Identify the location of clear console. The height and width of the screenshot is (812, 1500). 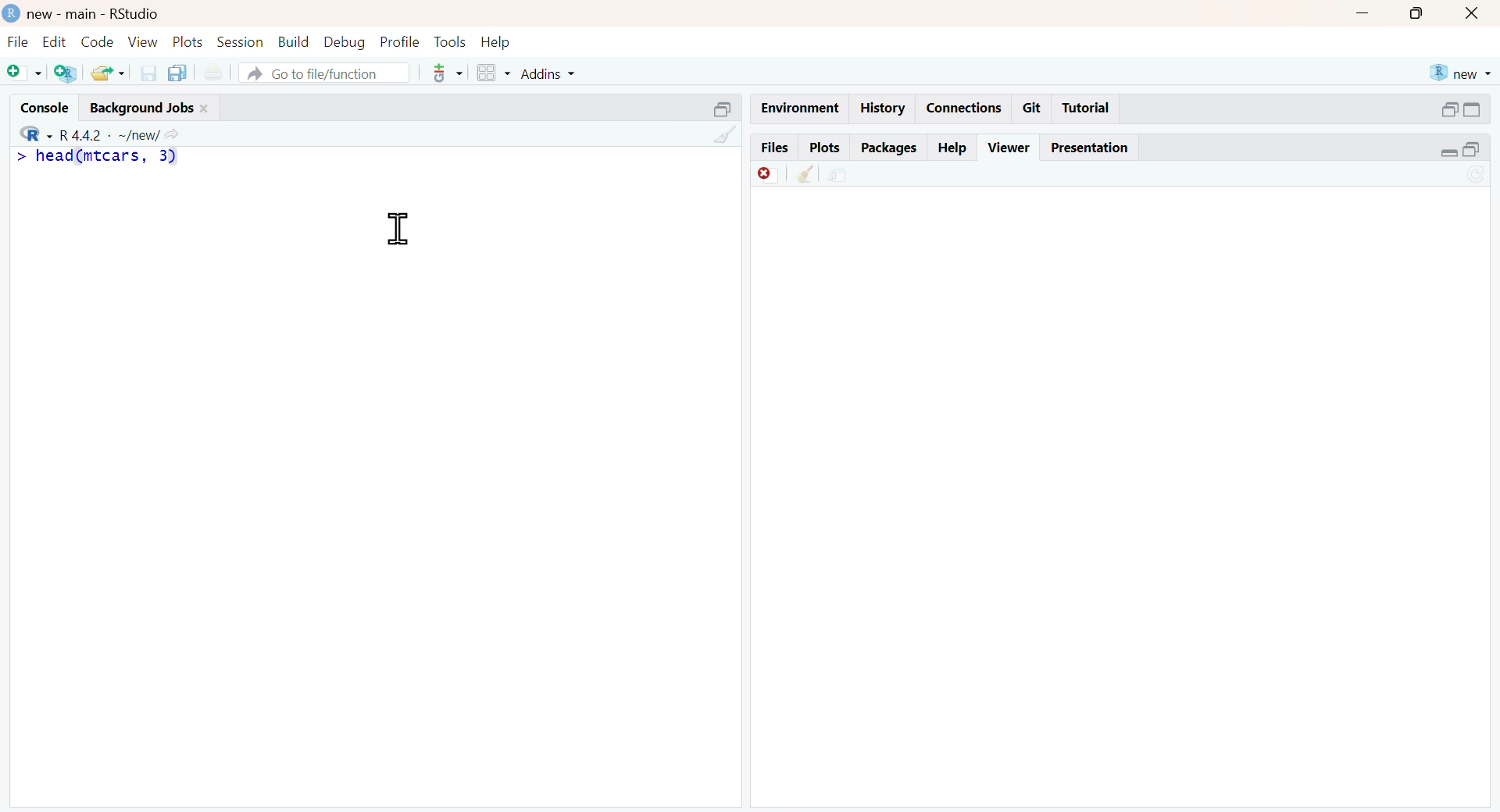
(716, 136).